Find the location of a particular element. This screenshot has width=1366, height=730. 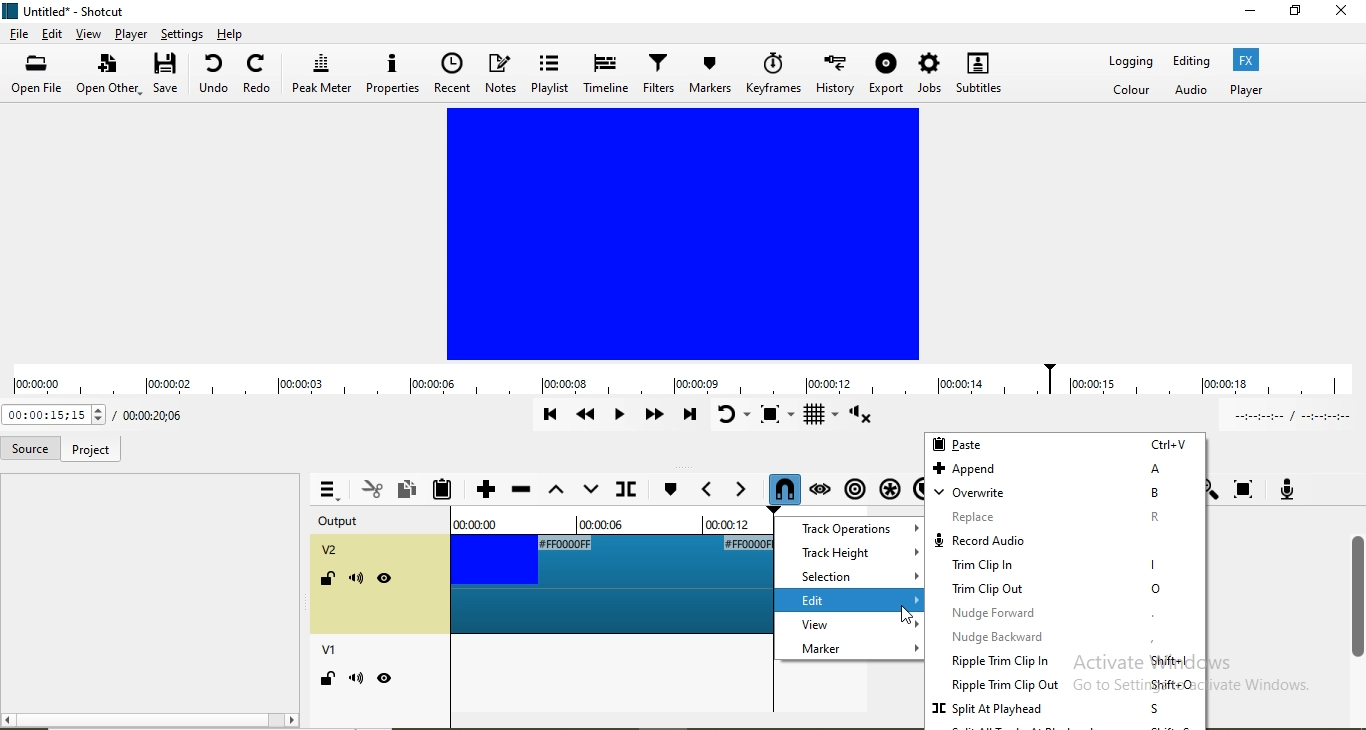

Next marker is located at coordinates (736, 490).